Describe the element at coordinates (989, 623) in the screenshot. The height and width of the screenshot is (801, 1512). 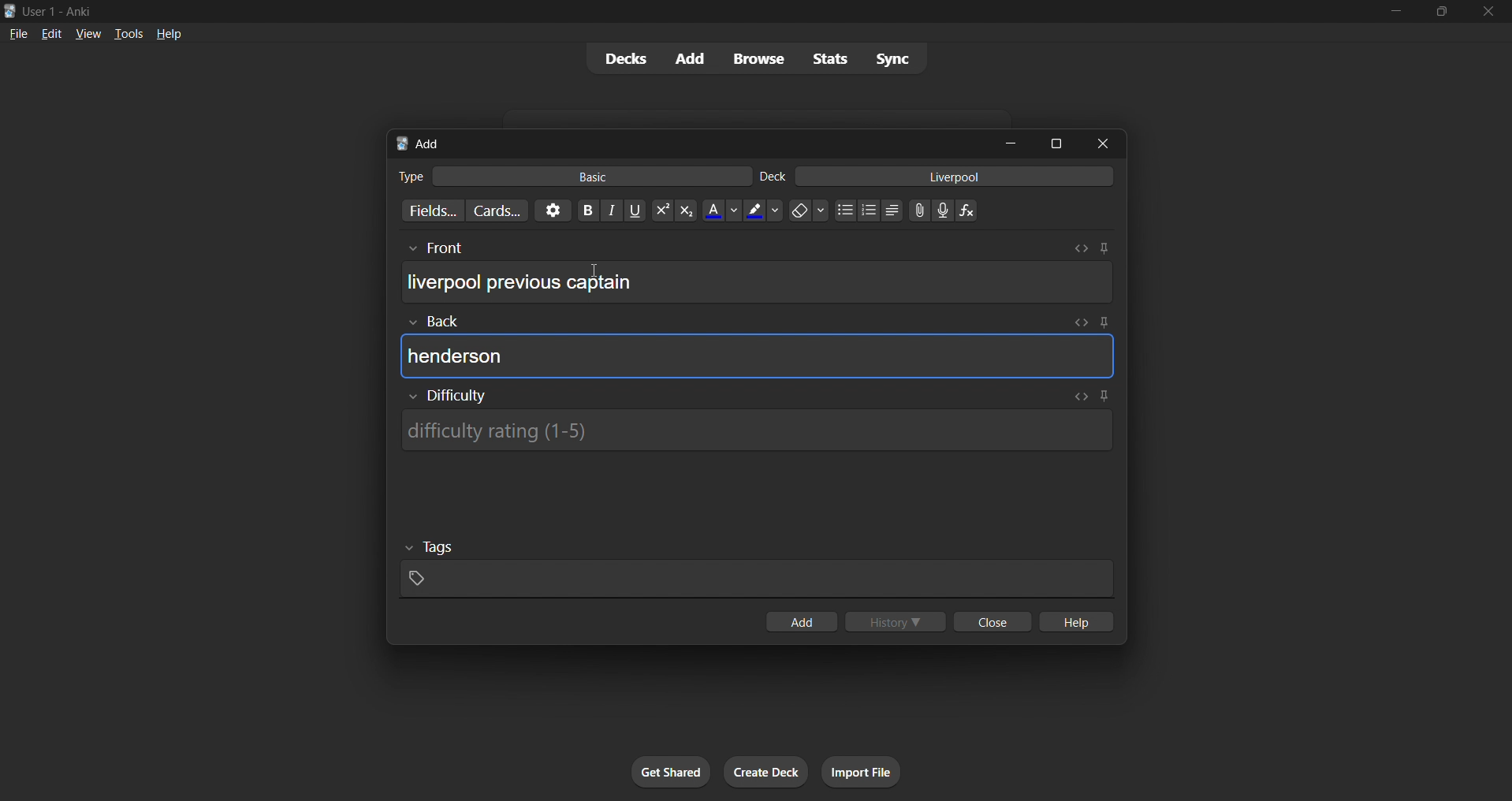
I see `close` at that location.